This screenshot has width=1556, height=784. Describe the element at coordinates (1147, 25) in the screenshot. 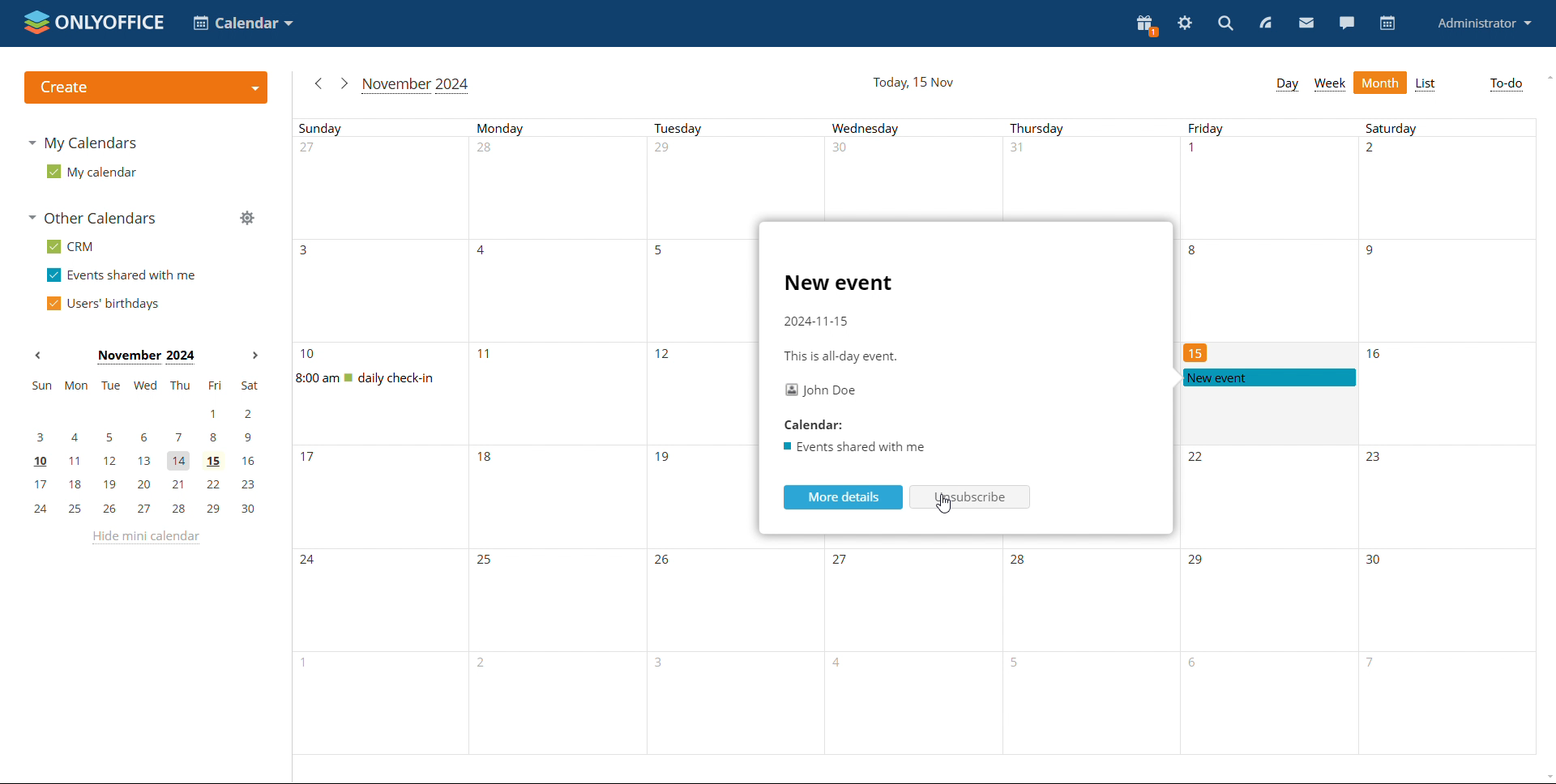

I see `present` at that location.